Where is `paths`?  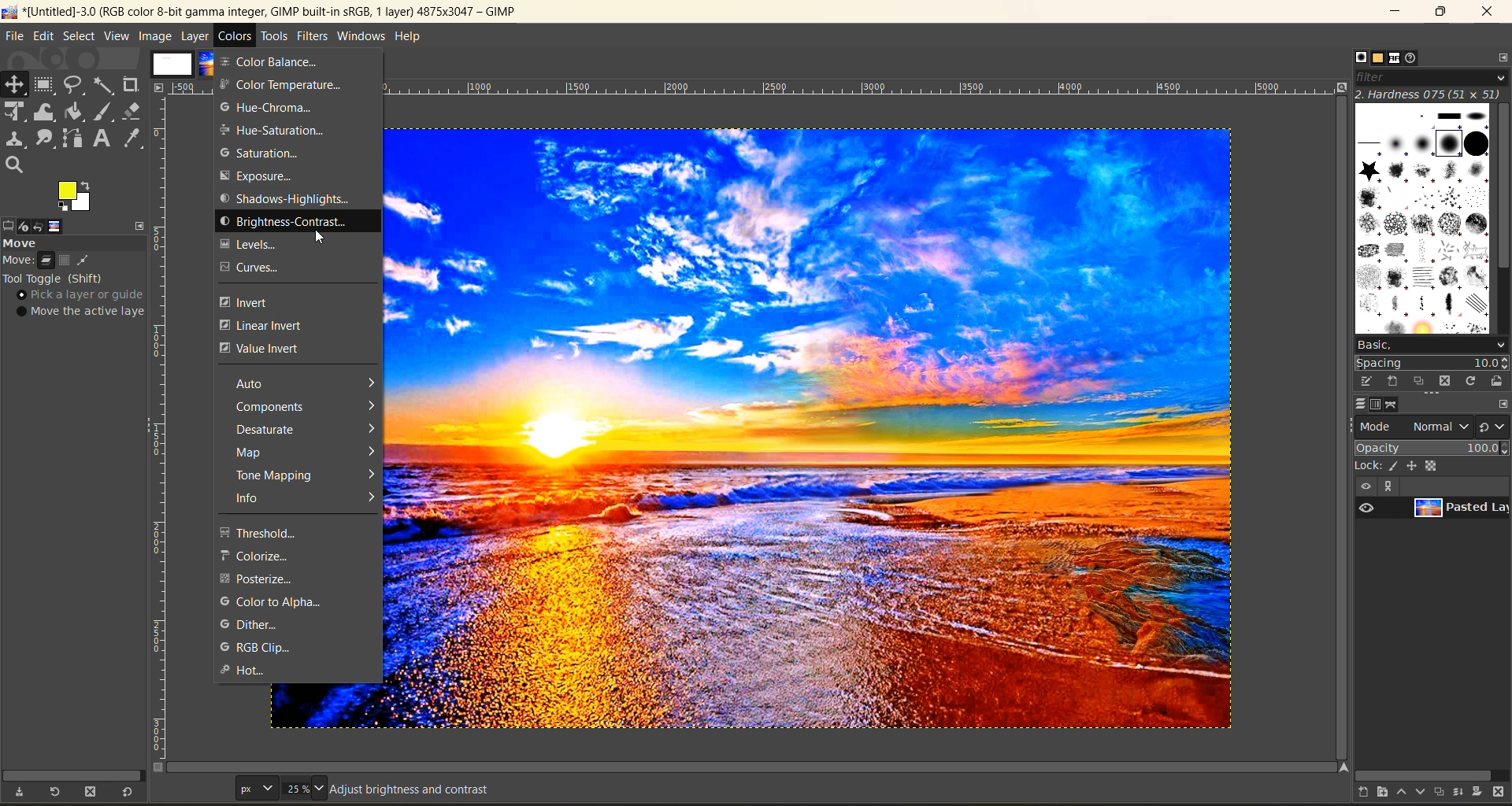
paths is located at coordinates (1393, 405).